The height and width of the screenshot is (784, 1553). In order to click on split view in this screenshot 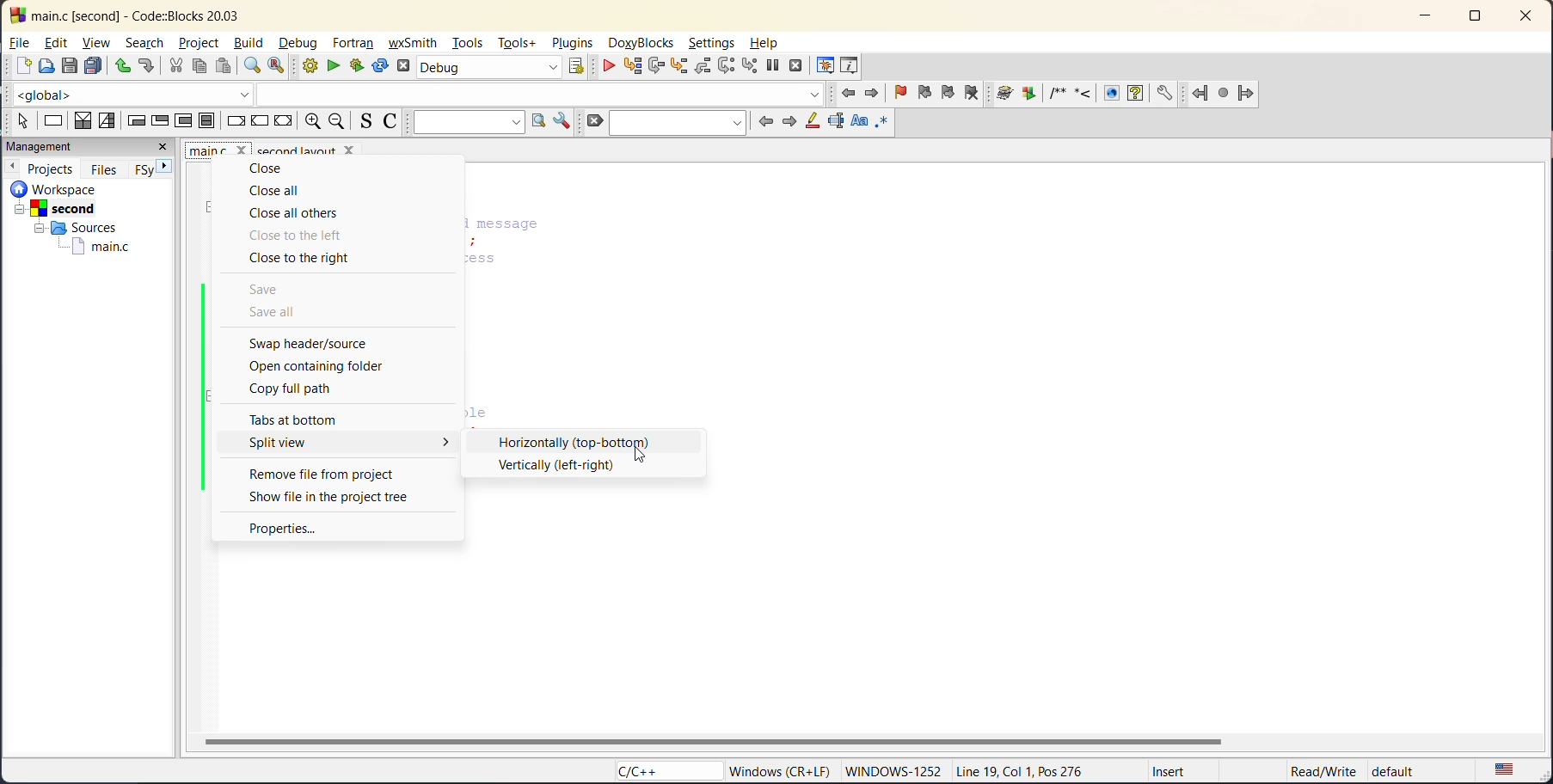, I will do `click(351, 440)`.